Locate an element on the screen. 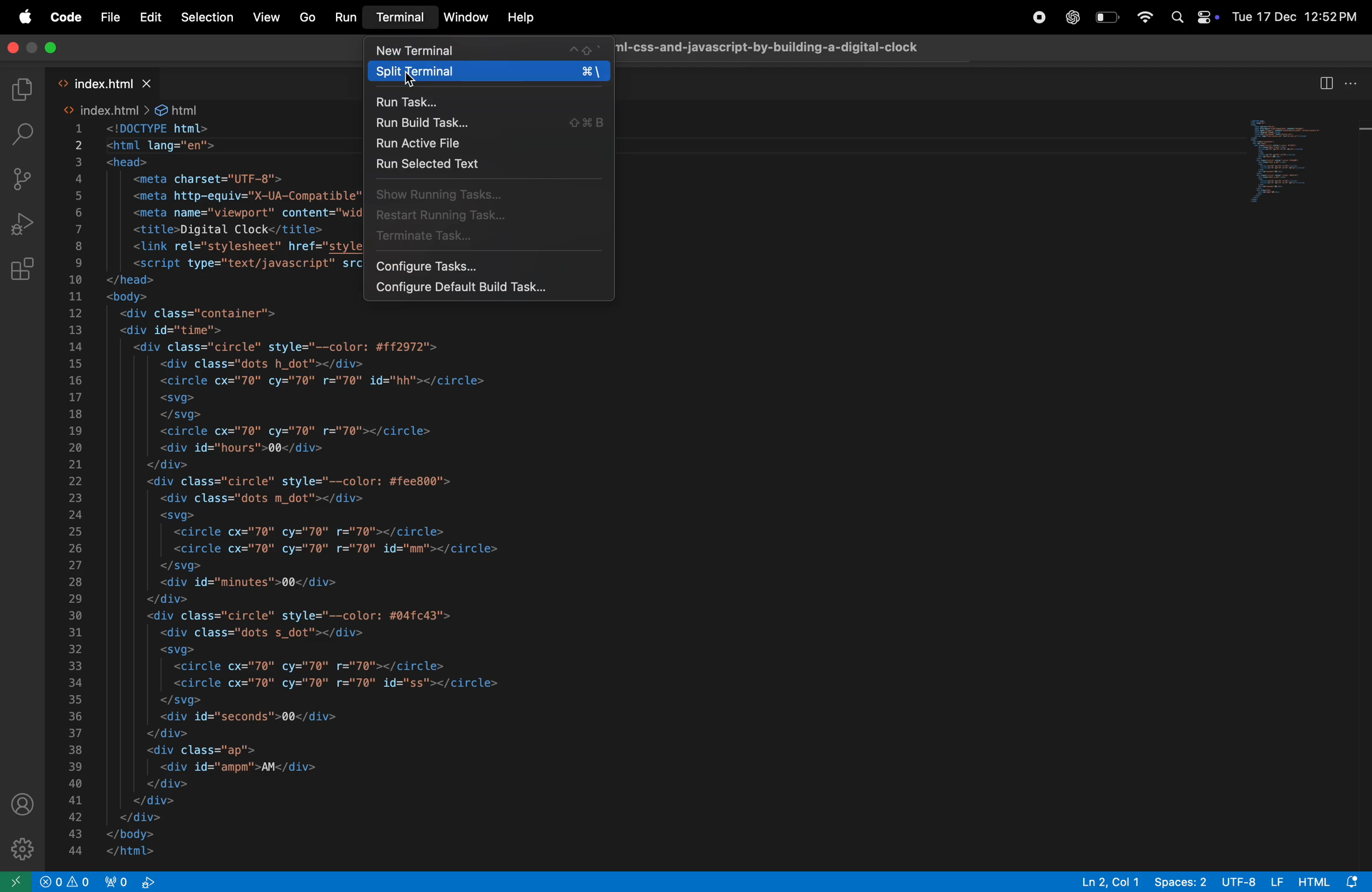 The height and width of the screenshot is (892, 1372). <> index.html > & html is located at coordinates (129, 110).